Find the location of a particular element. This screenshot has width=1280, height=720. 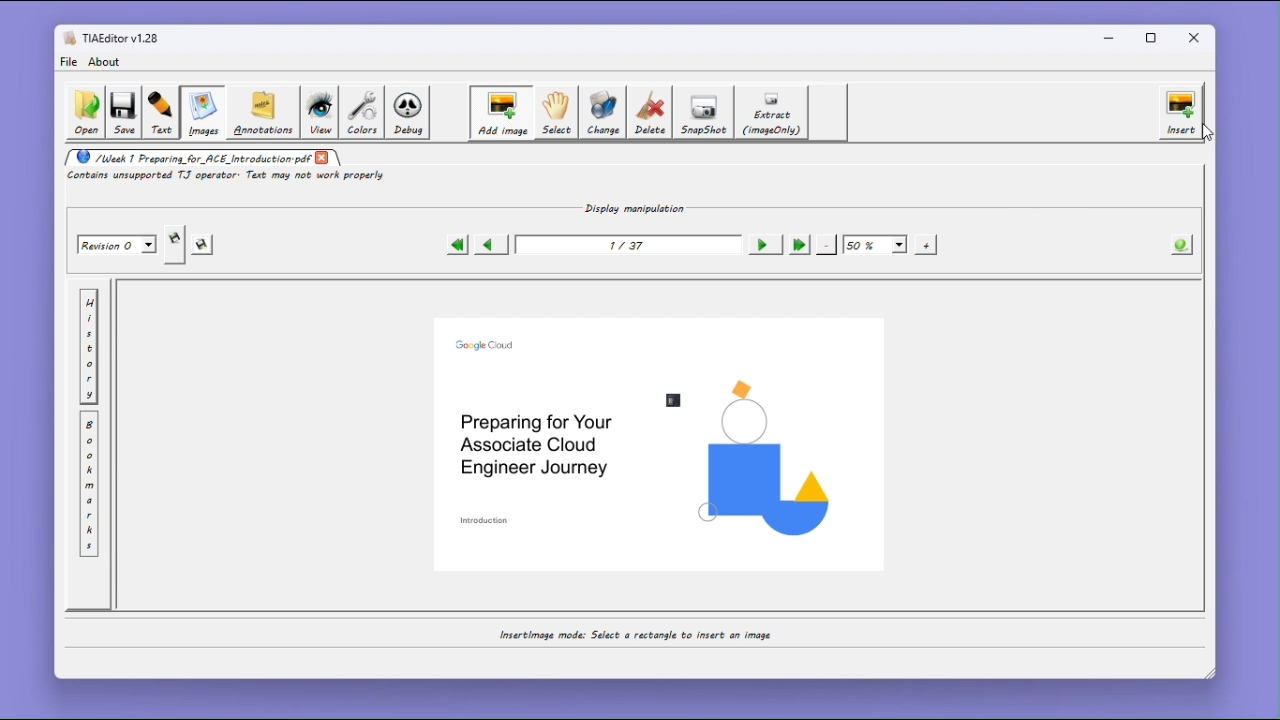

SnapShot is located at coordinates (706, 113).